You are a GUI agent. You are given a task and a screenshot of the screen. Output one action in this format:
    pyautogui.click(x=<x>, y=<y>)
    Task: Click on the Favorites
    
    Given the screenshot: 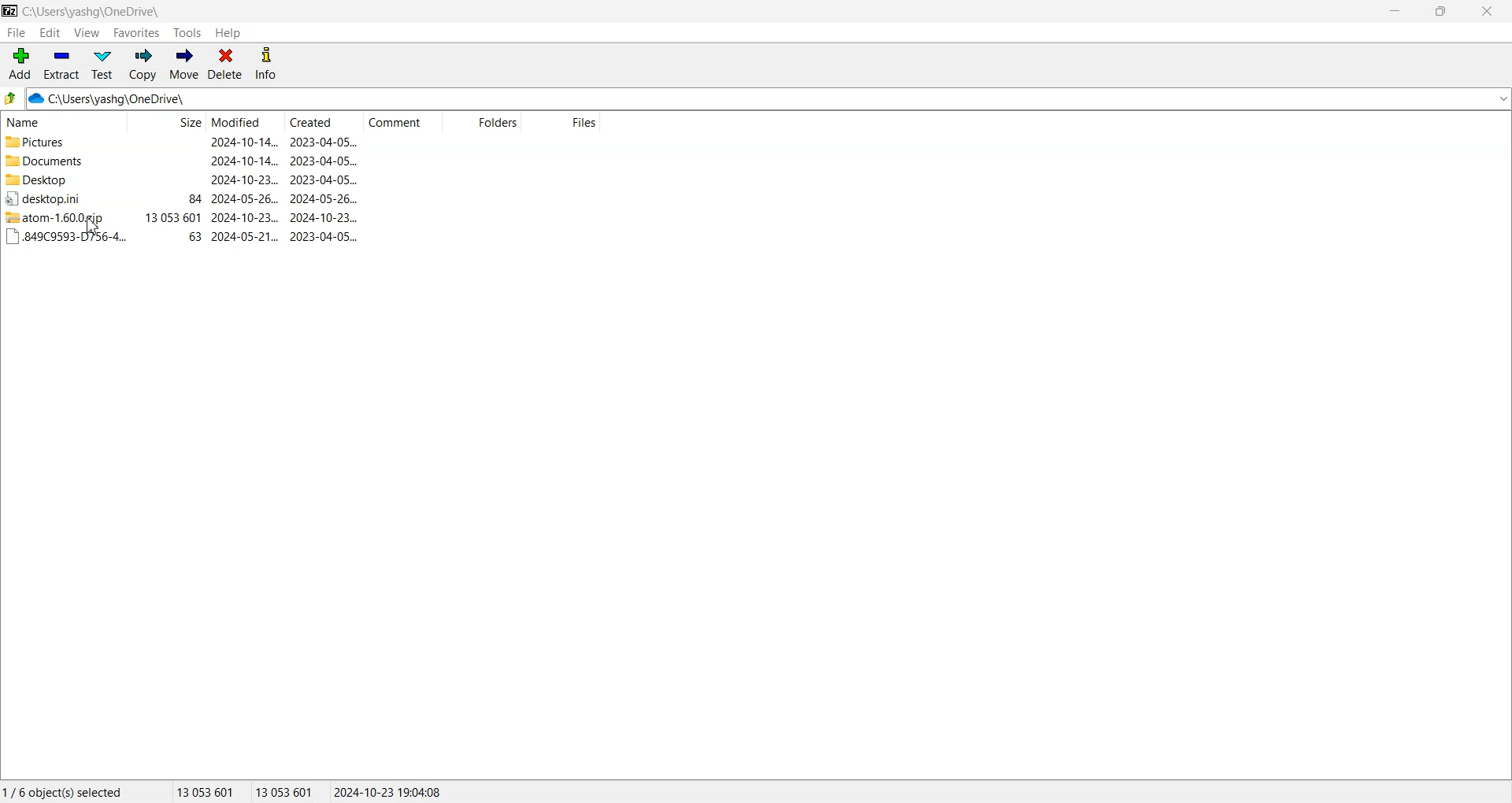 What is the action you would take?
    pyautogui.click(x=137, y=32)
    